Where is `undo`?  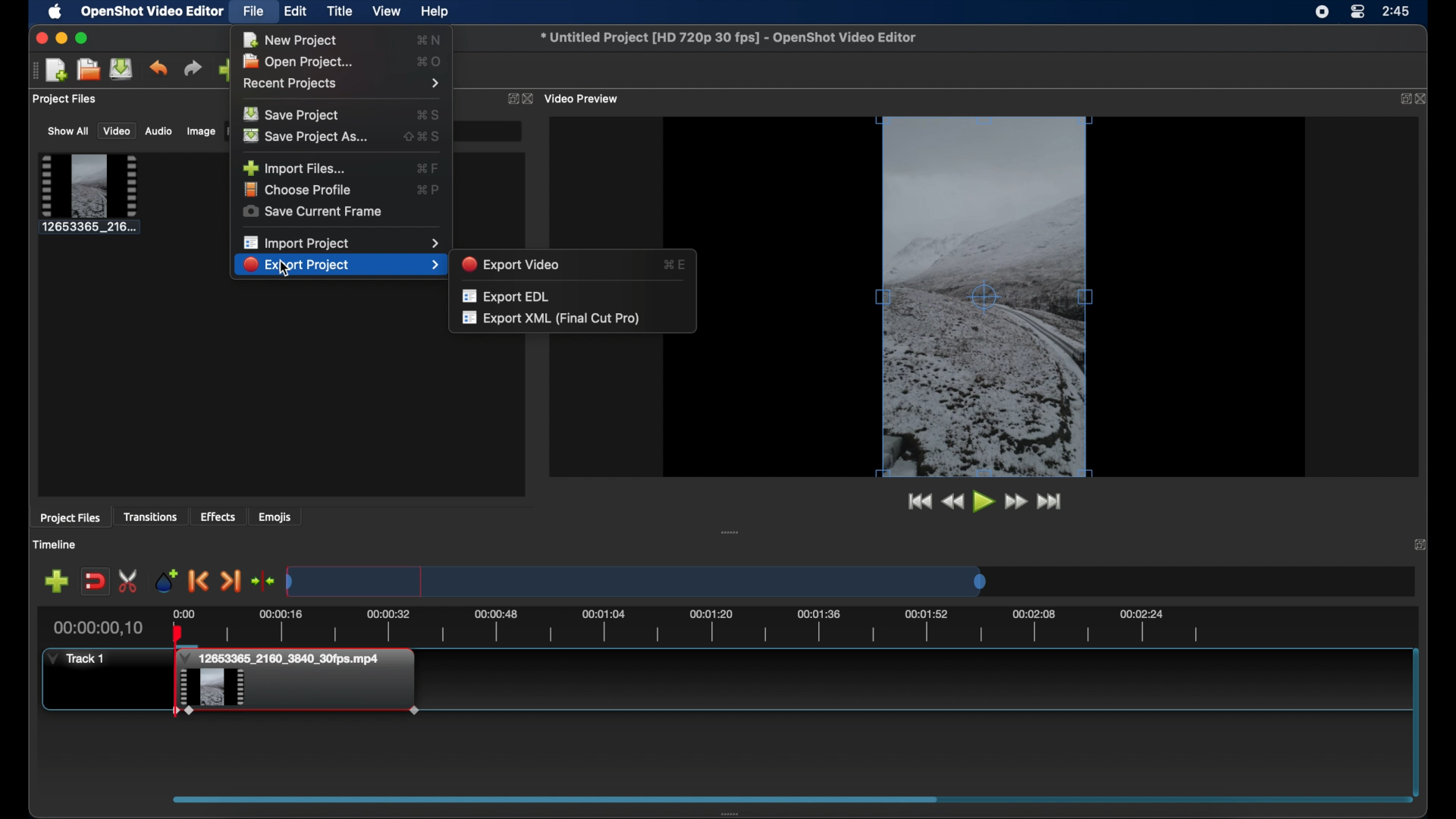
undo is located at coordinates (158, 68).